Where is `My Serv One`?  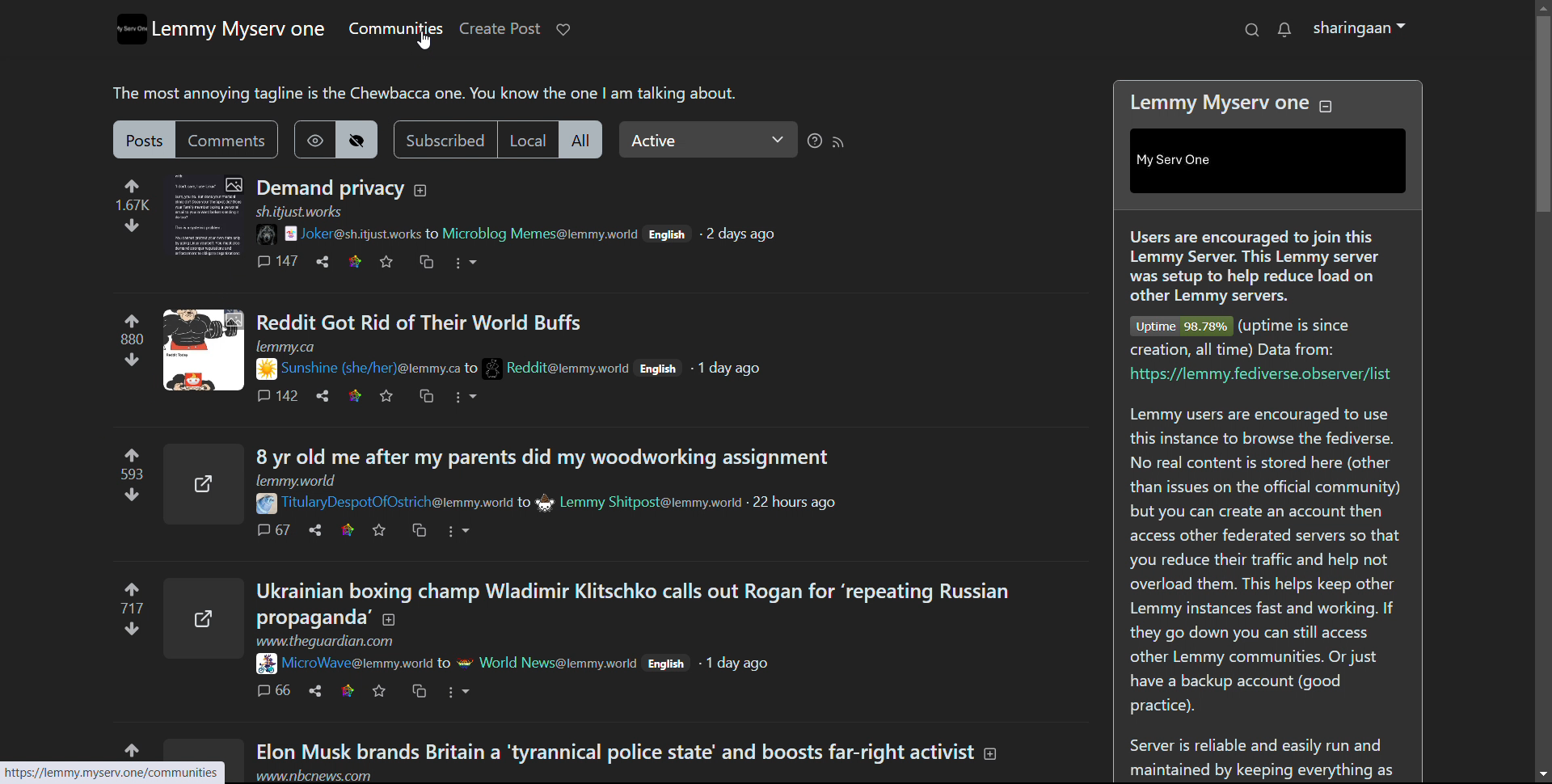
My Serv One is located at coordinates (1193, 161).